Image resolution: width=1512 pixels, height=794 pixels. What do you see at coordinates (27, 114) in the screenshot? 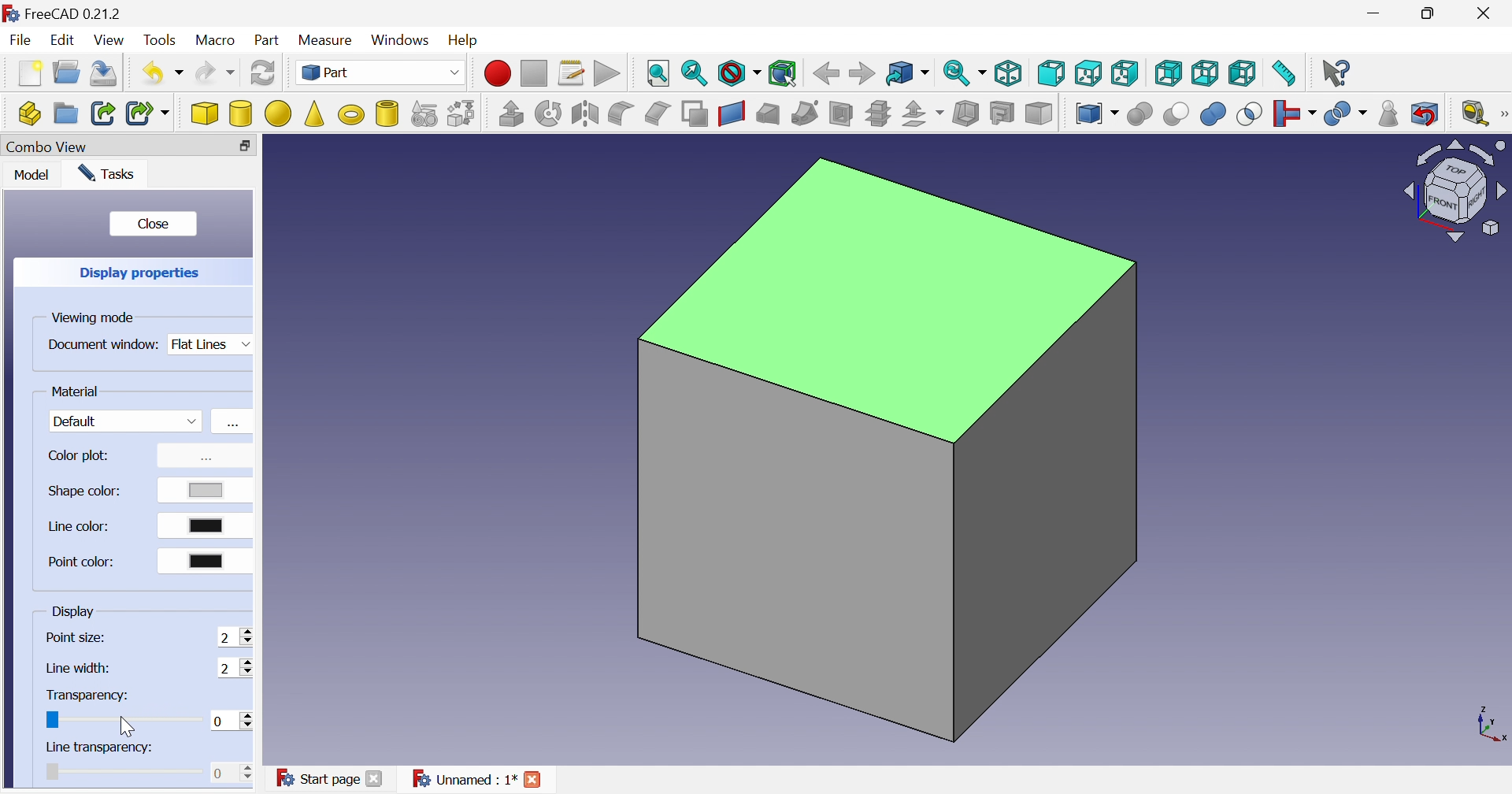
I see `Create part` at bounding box center [27, 114].